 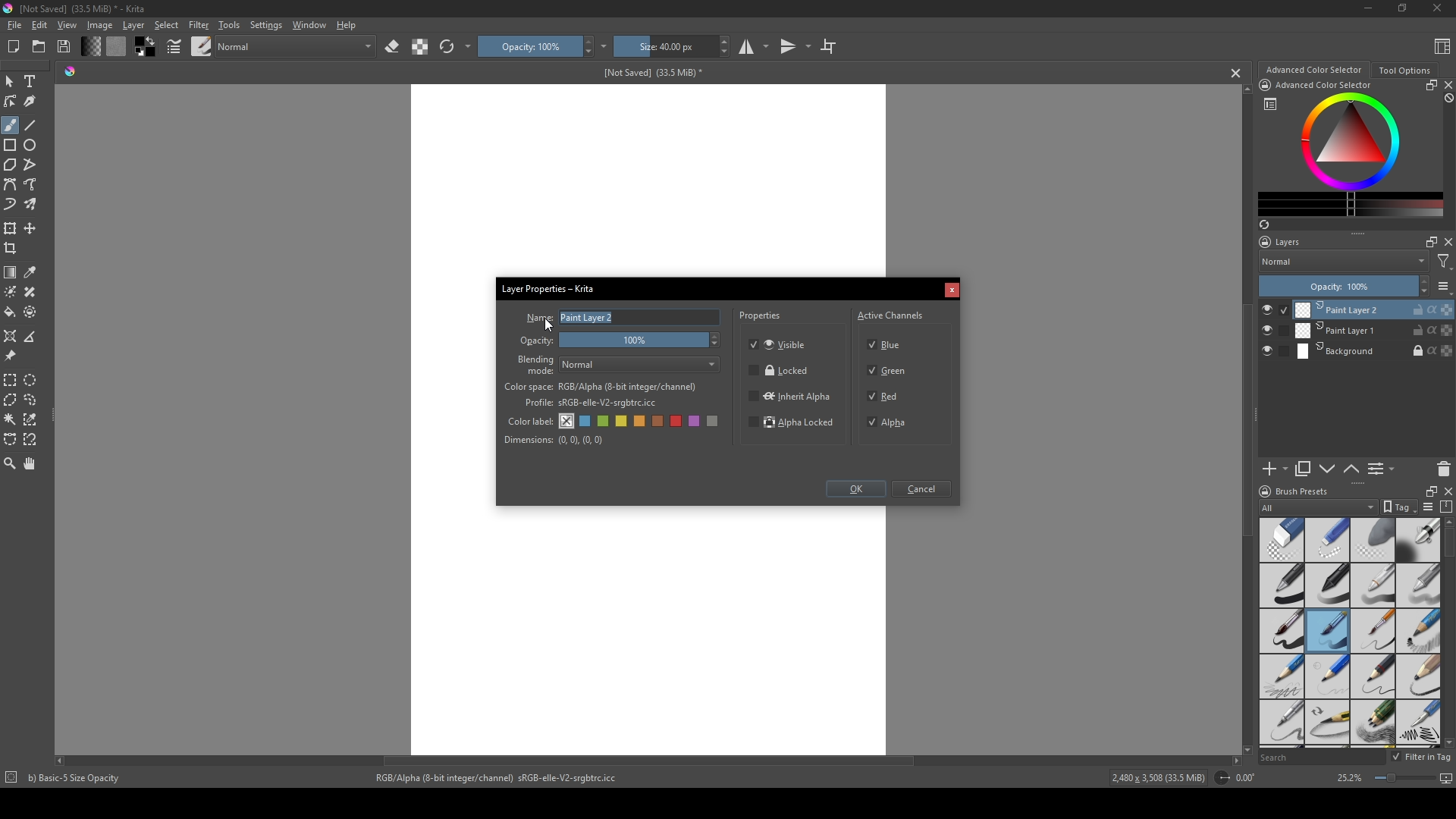 What do you see at coordinates (83, 9) in the screenshot?
I see `[Not Saved] (33.5 MiB) - Krita` at bounding box center [83, 9].